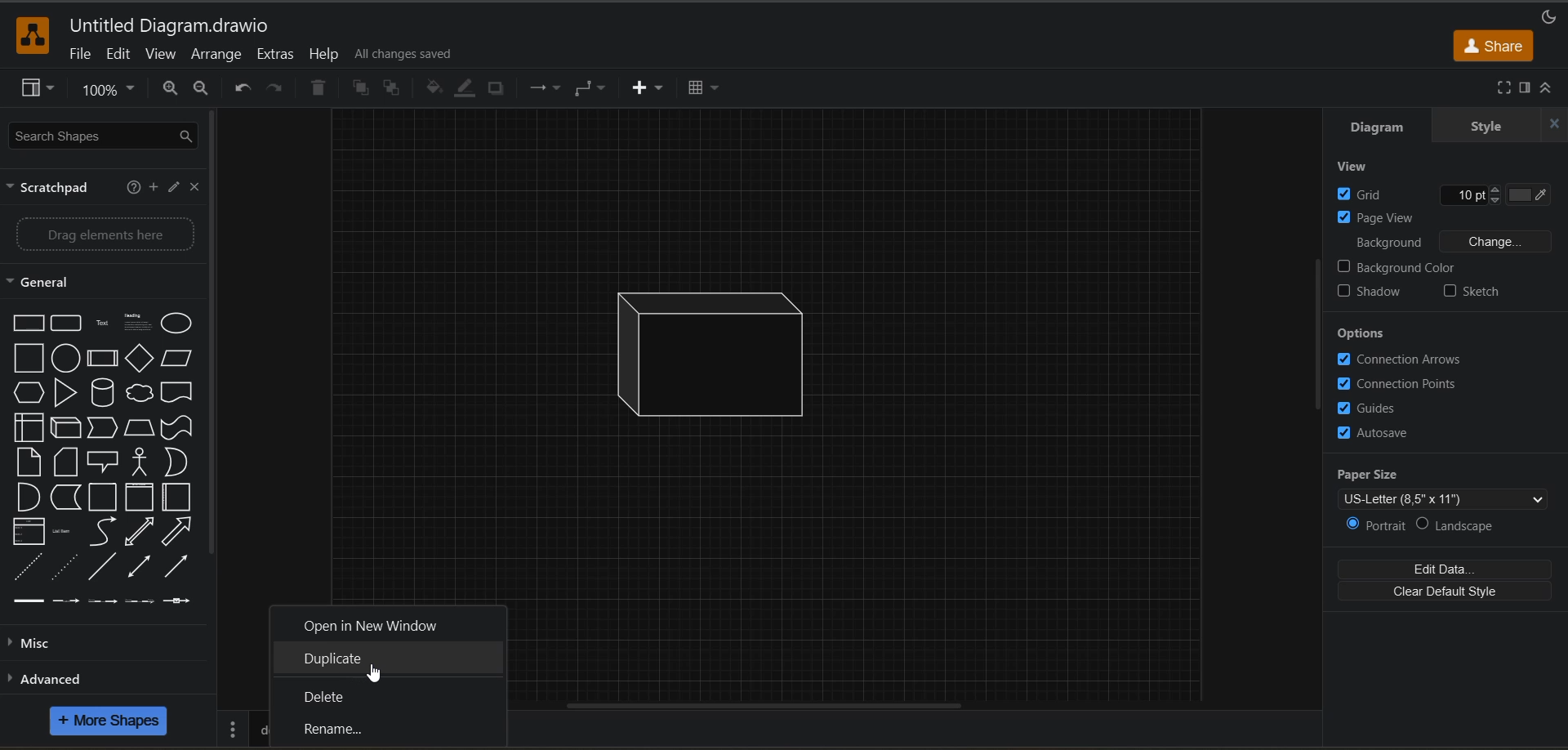  I want to click on autosave, so click(1378, 434).